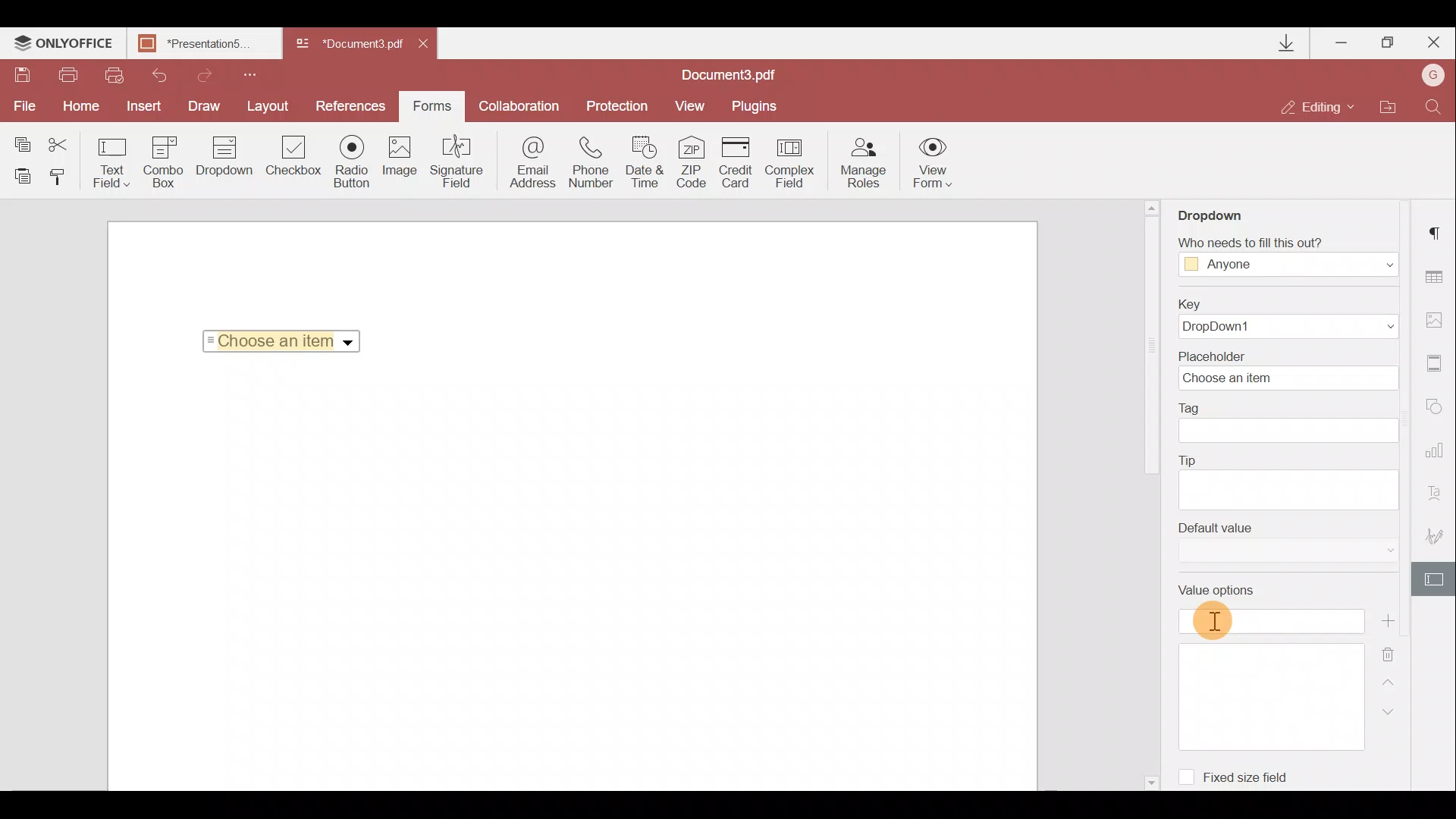  Describe the element at coordinates (1437, 457) in the screenshot. I see `Chart settings` at that location.